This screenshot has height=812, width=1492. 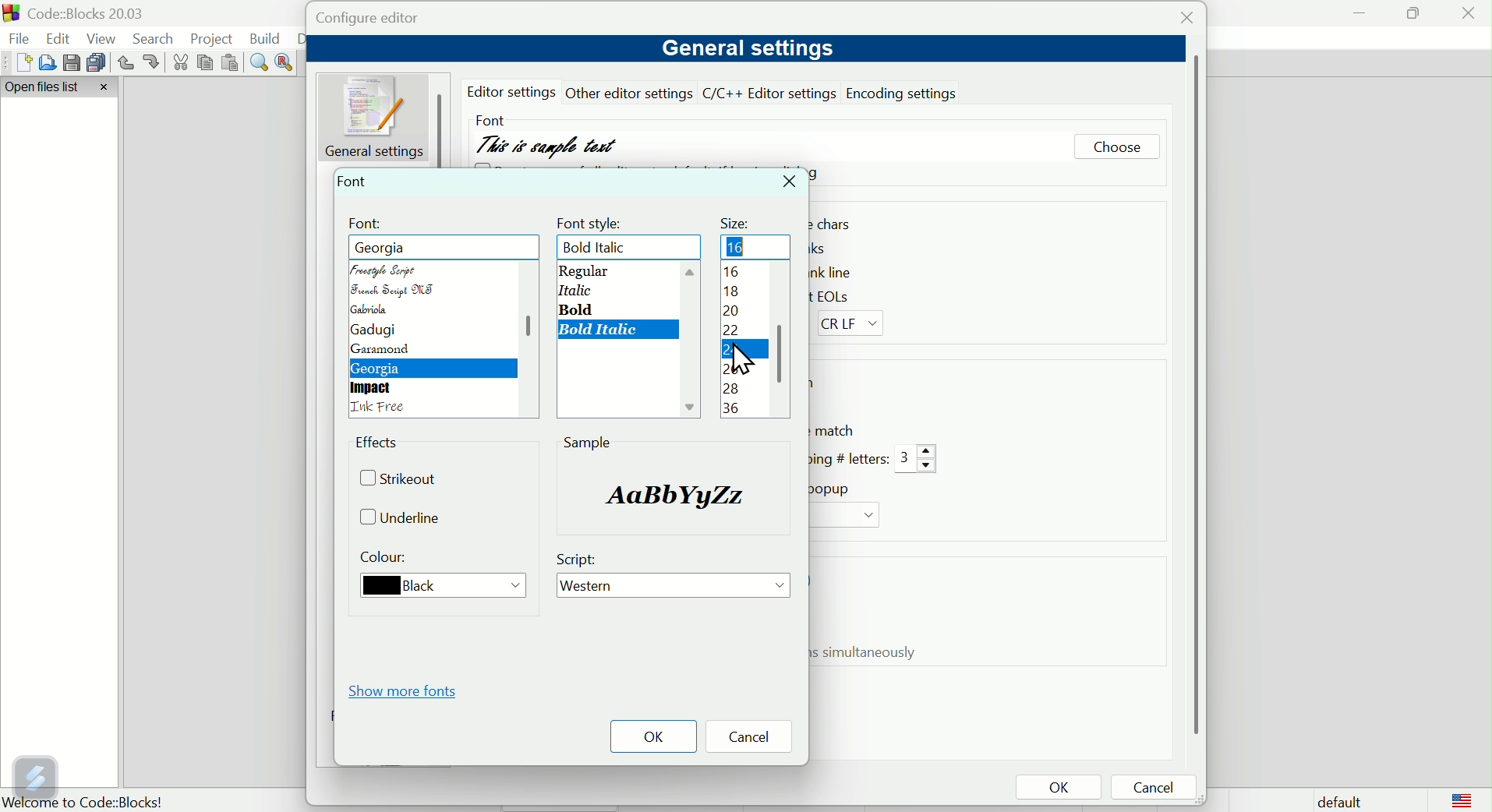 I want to click on 18, so click(x=736, y=291).